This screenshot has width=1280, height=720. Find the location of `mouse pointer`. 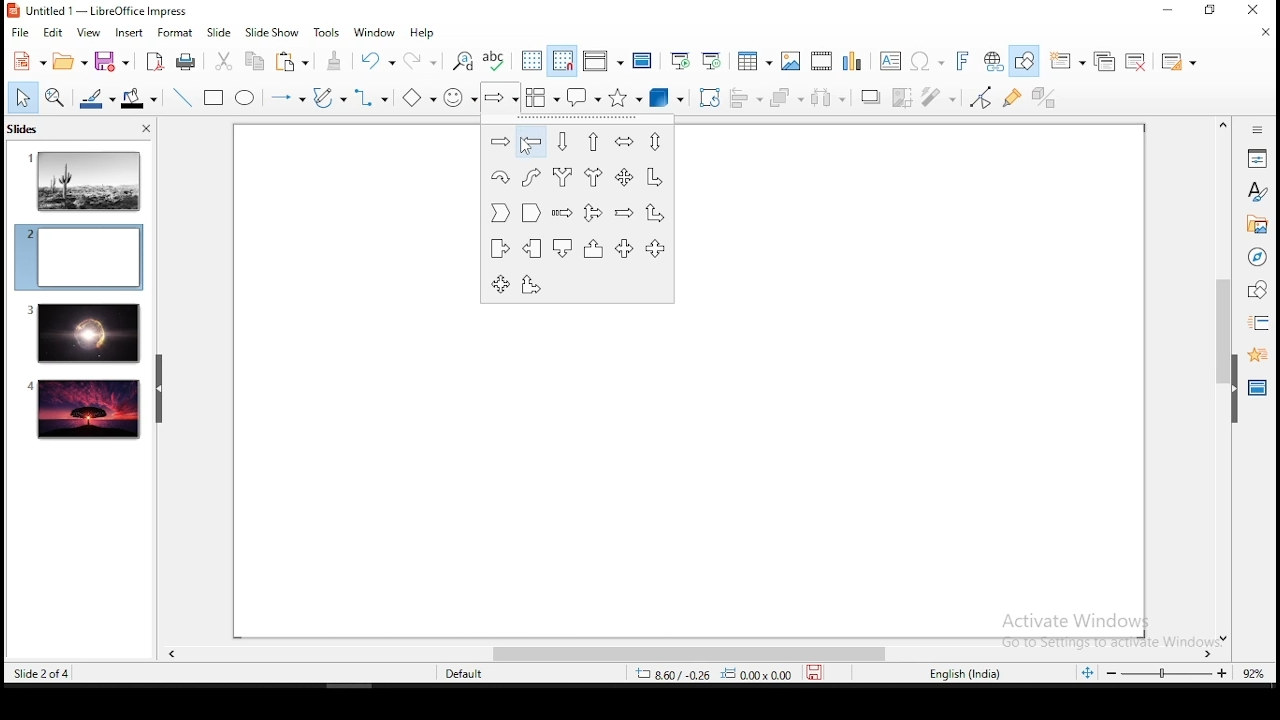

mouse pointer is located at coordinates (523, 146).